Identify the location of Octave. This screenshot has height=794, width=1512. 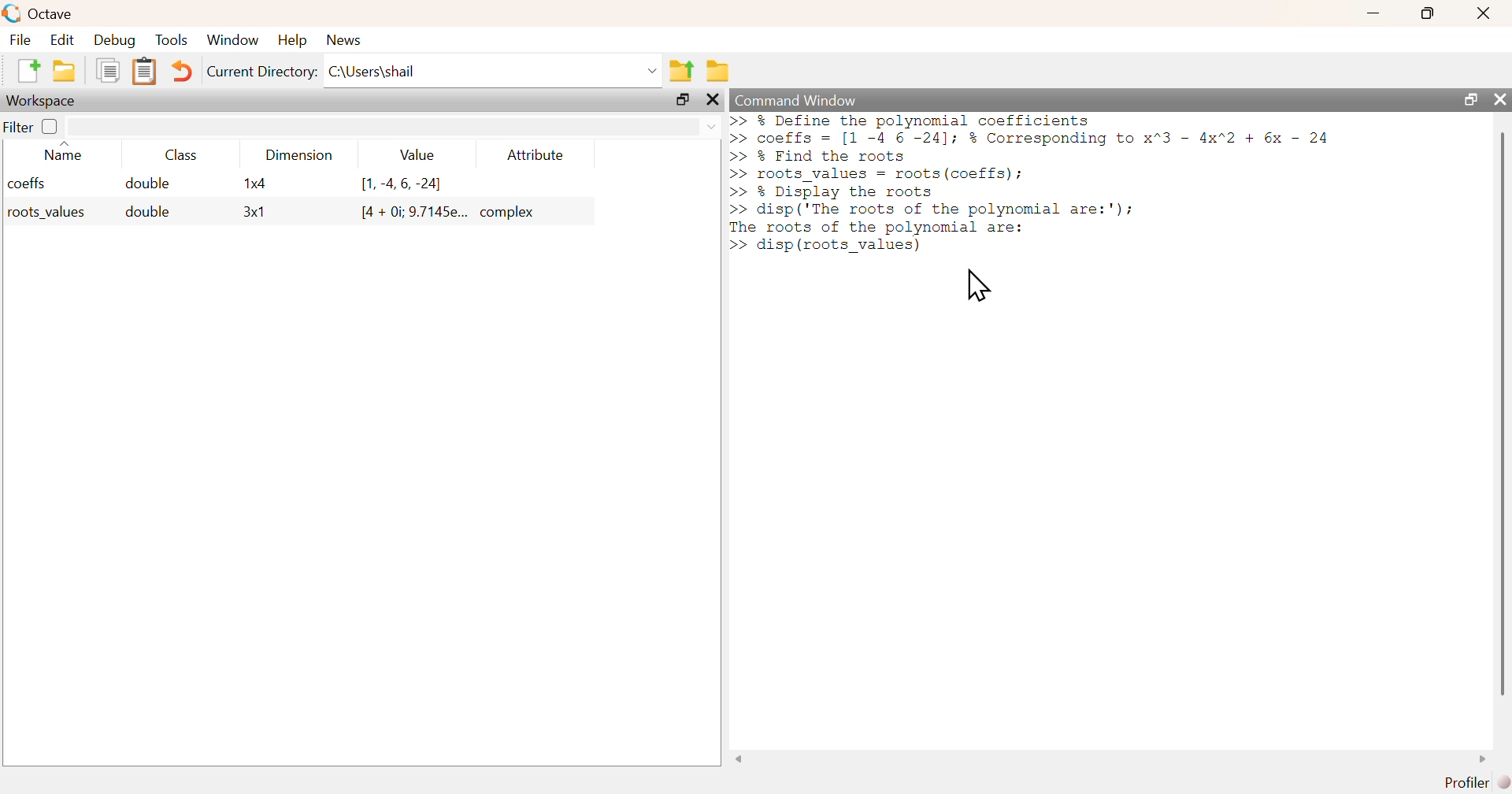
(50, 13).